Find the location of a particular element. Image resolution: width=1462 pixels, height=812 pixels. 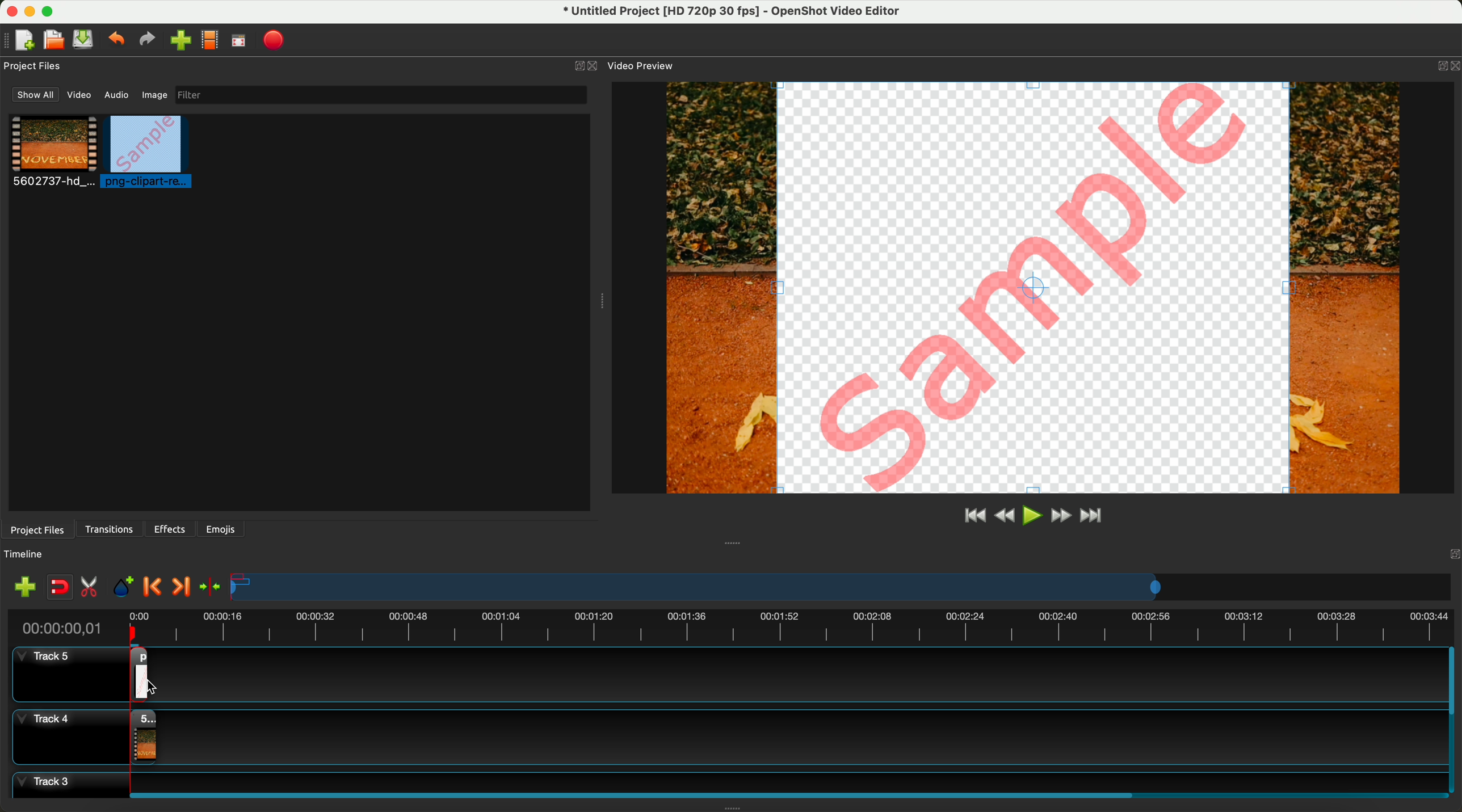

enable razor is located at coordinates (92, 589).